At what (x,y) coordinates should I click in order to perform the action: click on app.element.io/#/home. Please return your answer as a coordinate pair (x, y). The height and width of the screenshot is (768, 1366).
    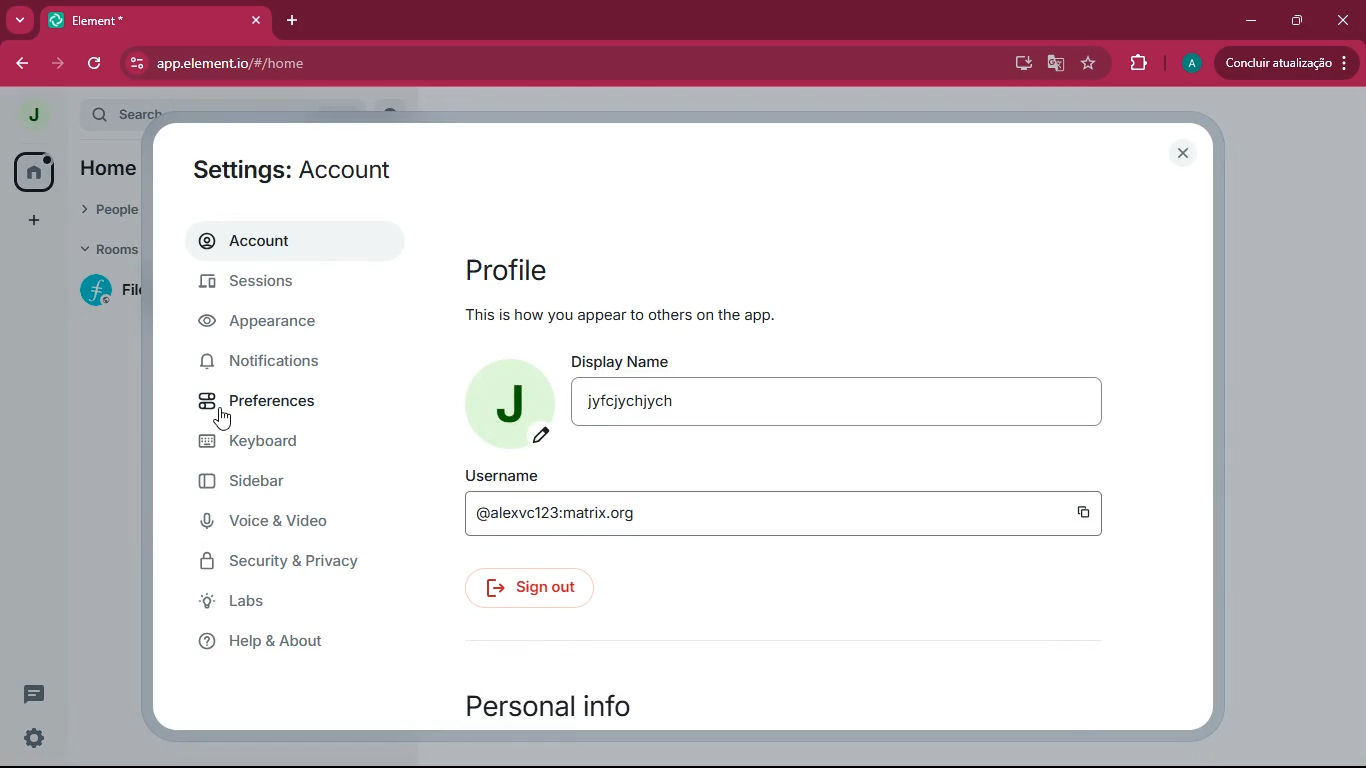
    Looking at the image, I should click on (324, 63).